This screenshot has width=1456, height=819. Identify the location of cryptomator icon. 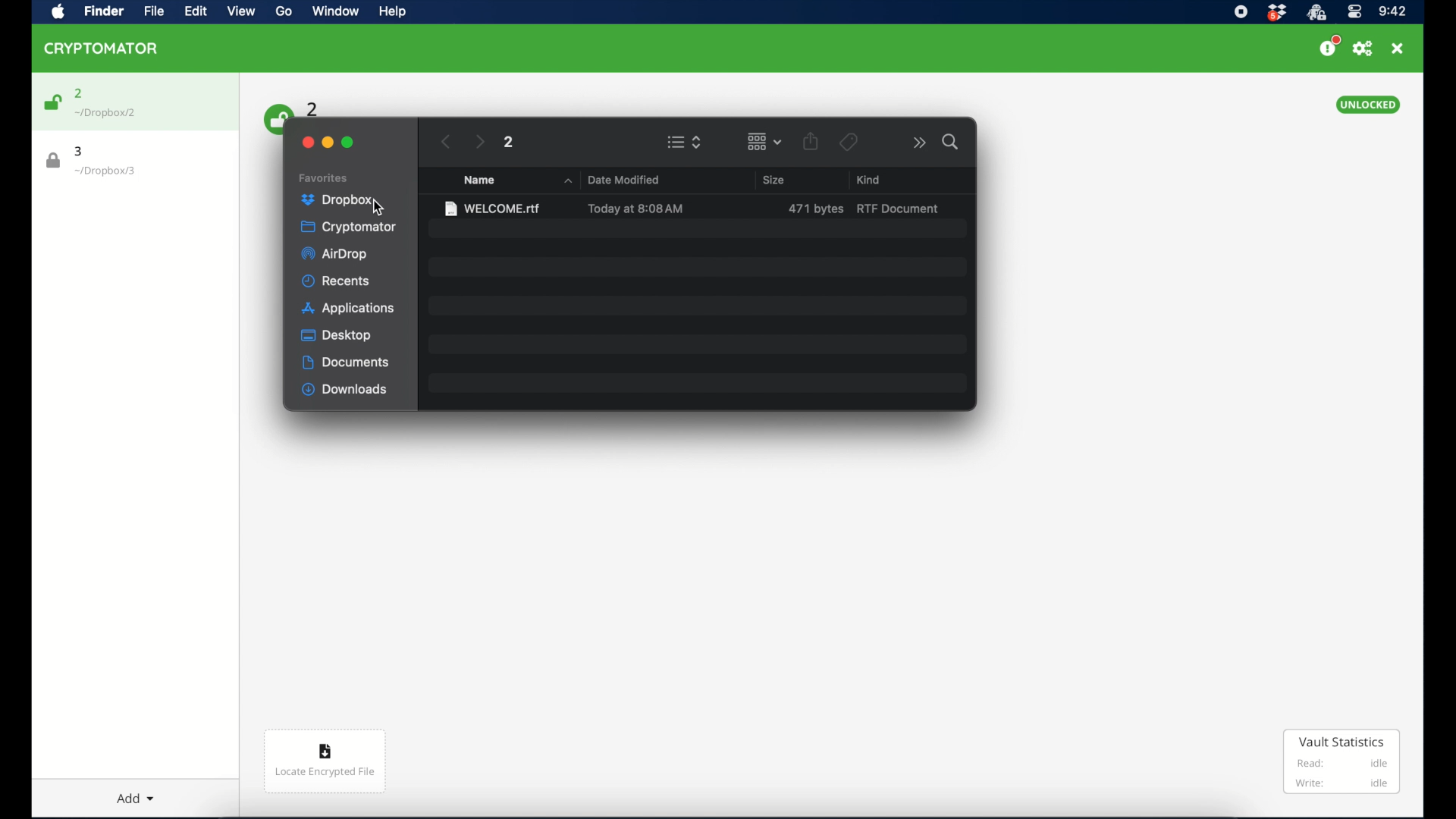
(1316, 13).